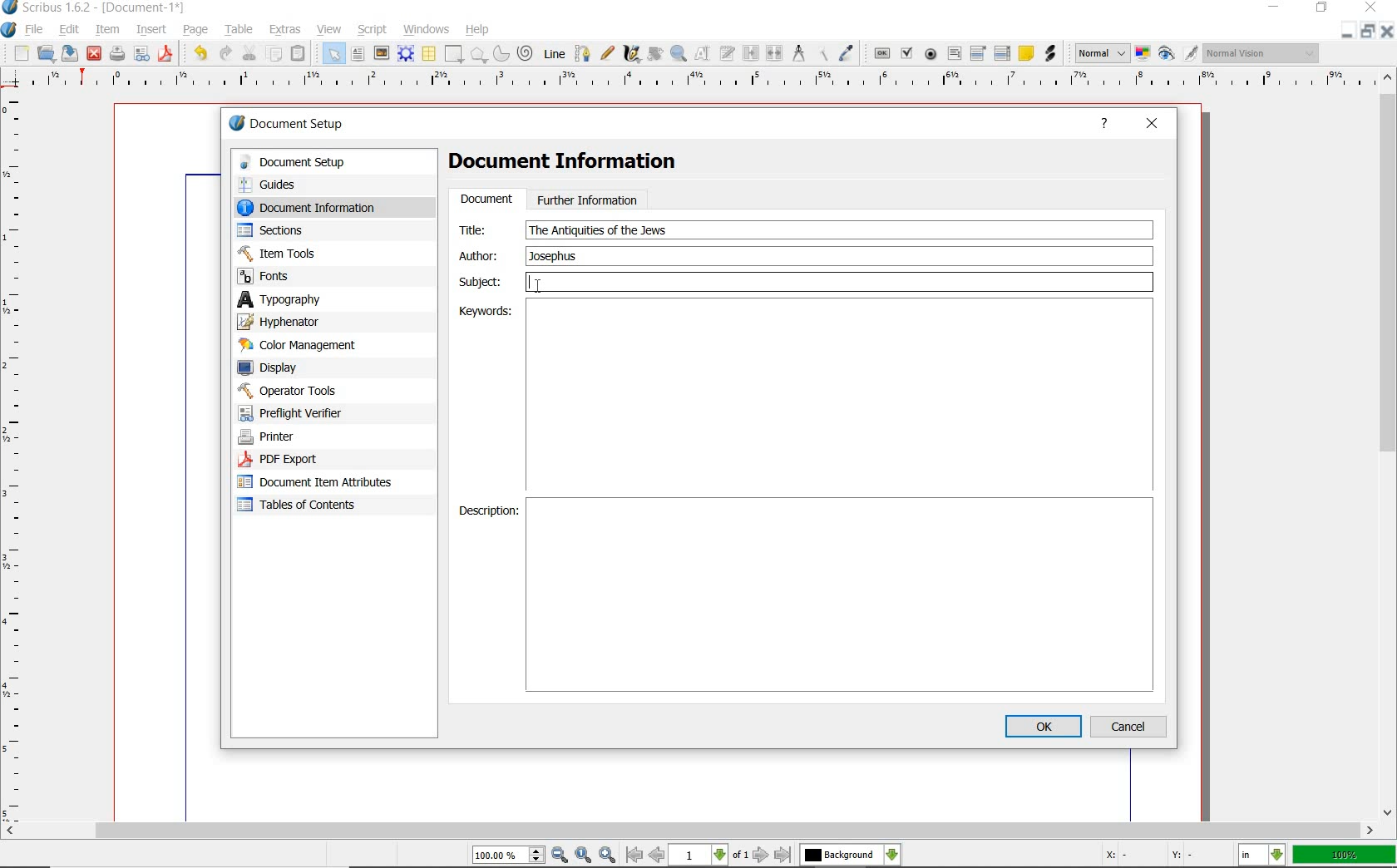 This screenshot has height=868, width=1397. Describe the element at coordinates (427, 30) in the screenshot. I see `windows` at that location.